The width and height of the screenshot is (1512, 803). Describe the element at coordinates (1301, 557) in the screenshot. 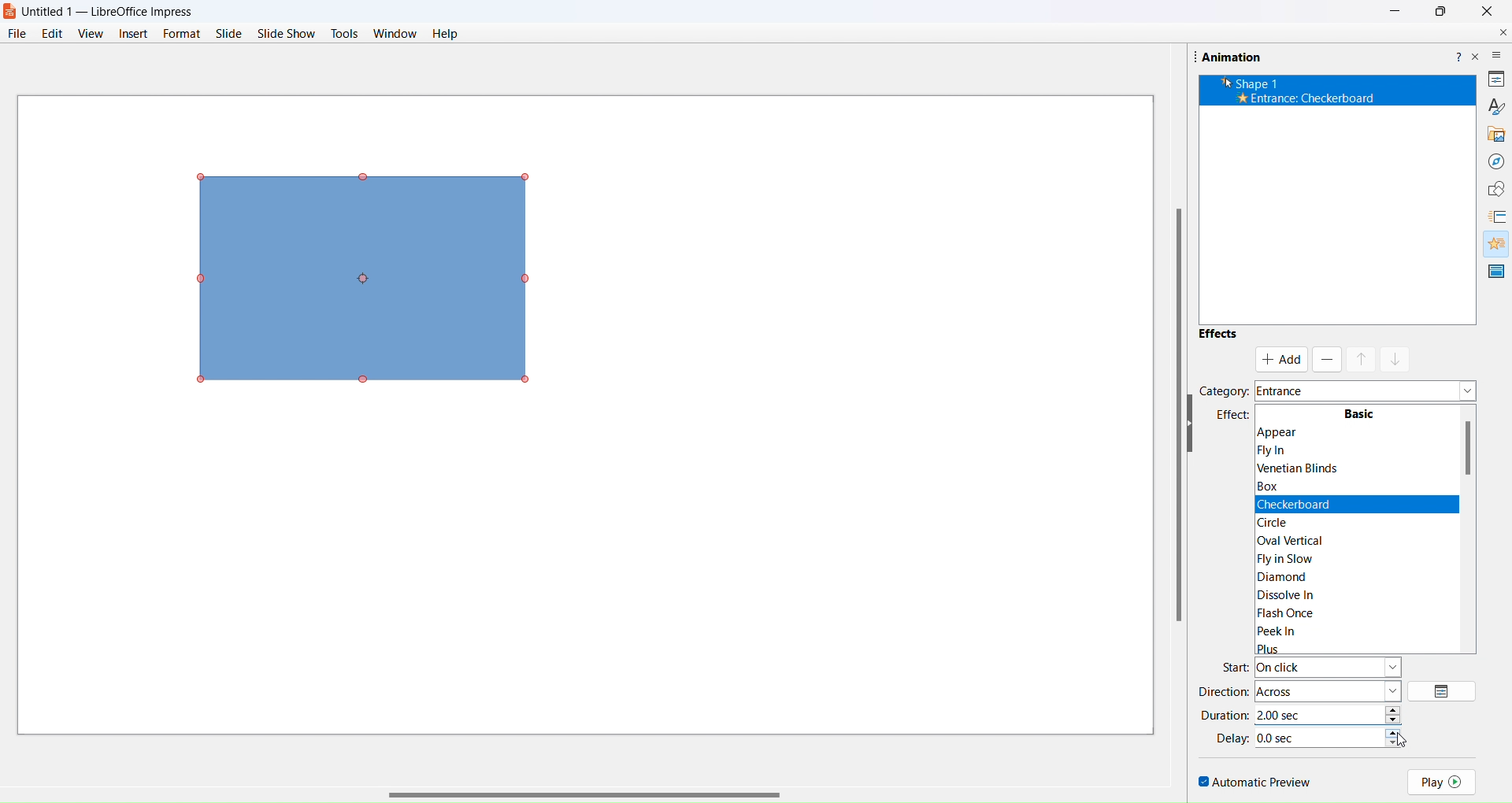

I see `|Fly in Slow` at that location.